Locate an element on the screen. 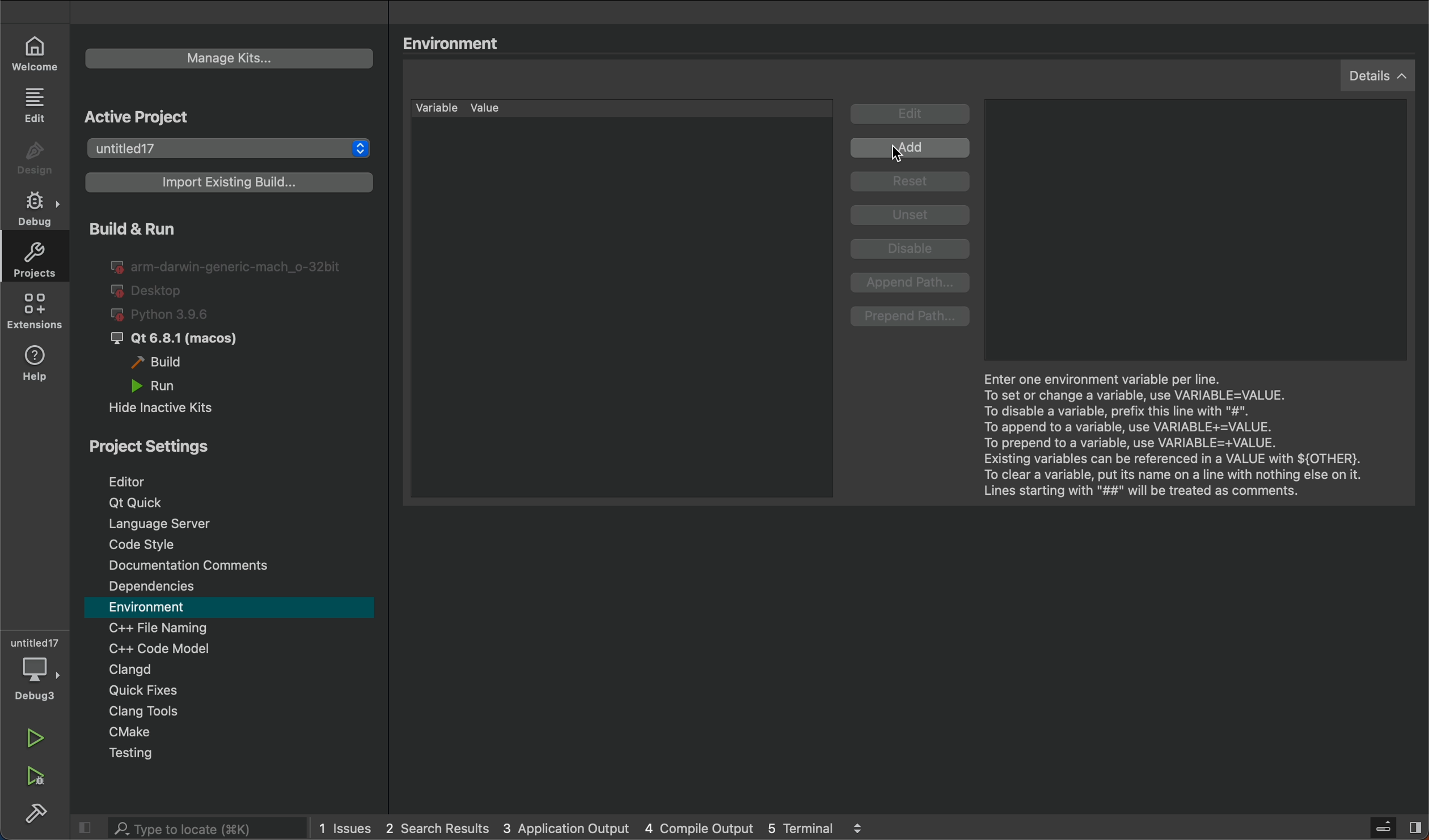  details is located at coordinates (1377, 75).